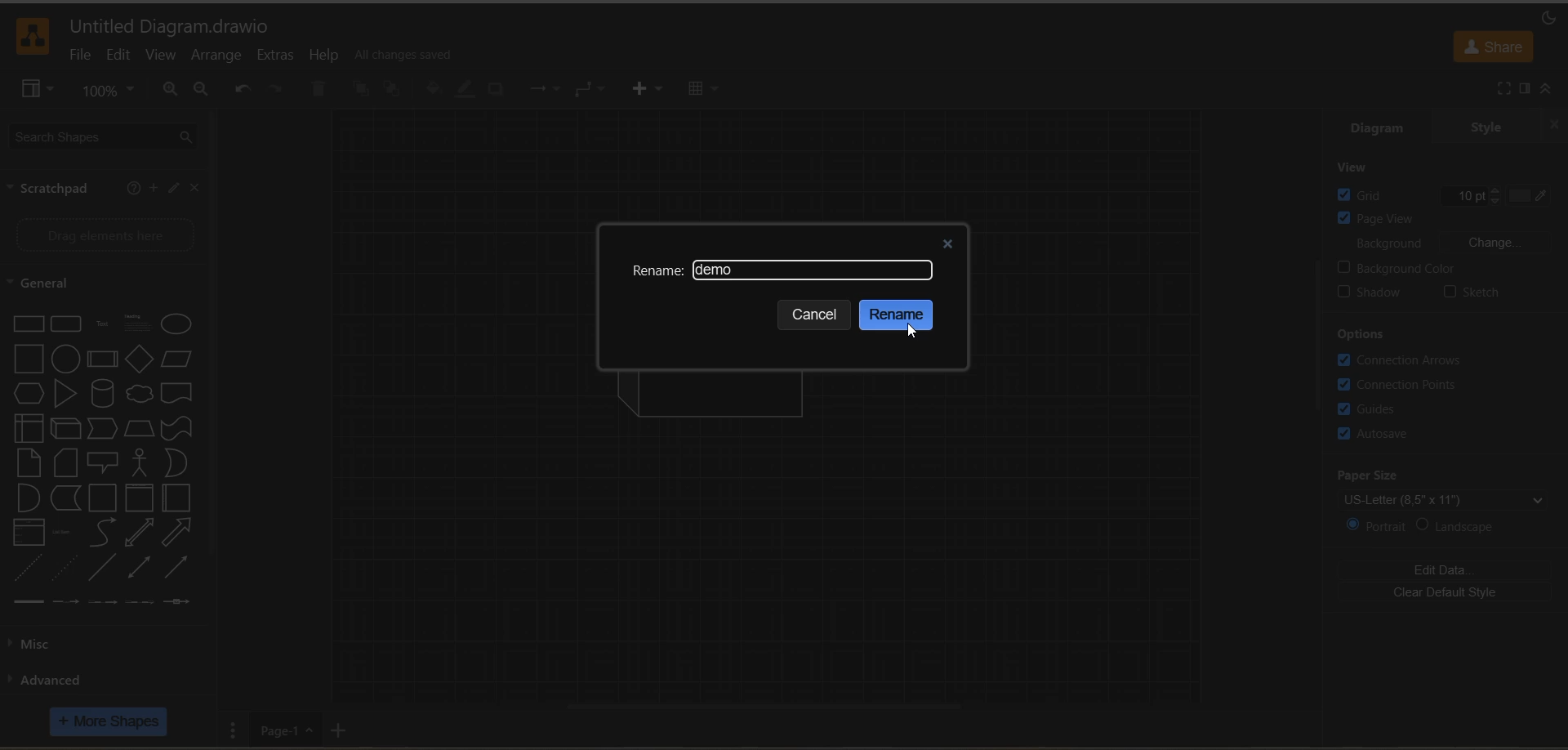 This screenshot has height=750, width=1568. I want to click on rename, so click(899, 315).